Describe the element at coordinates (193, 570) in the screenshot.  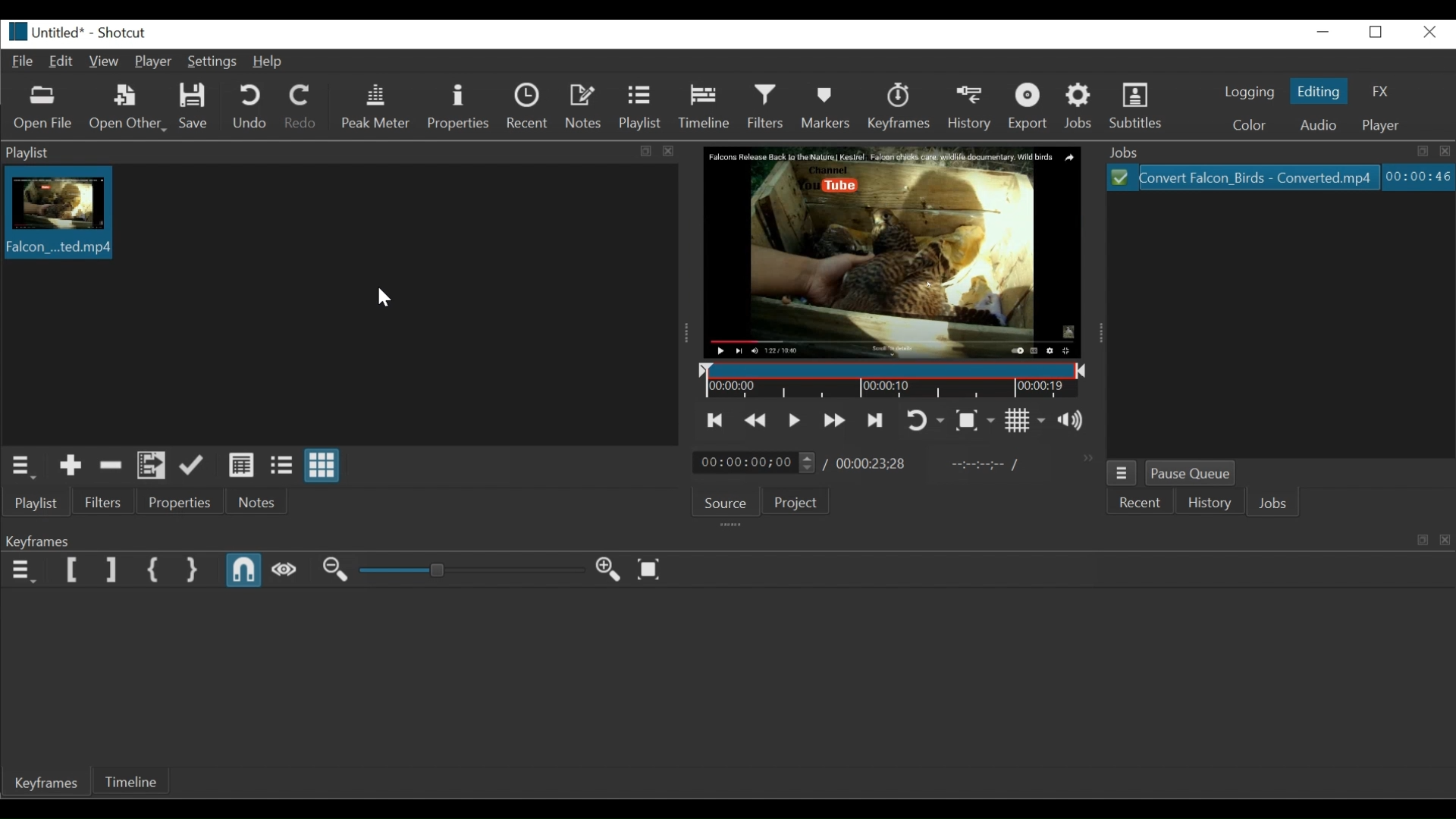
I see `Set Second Simple Keyframe` at that location.